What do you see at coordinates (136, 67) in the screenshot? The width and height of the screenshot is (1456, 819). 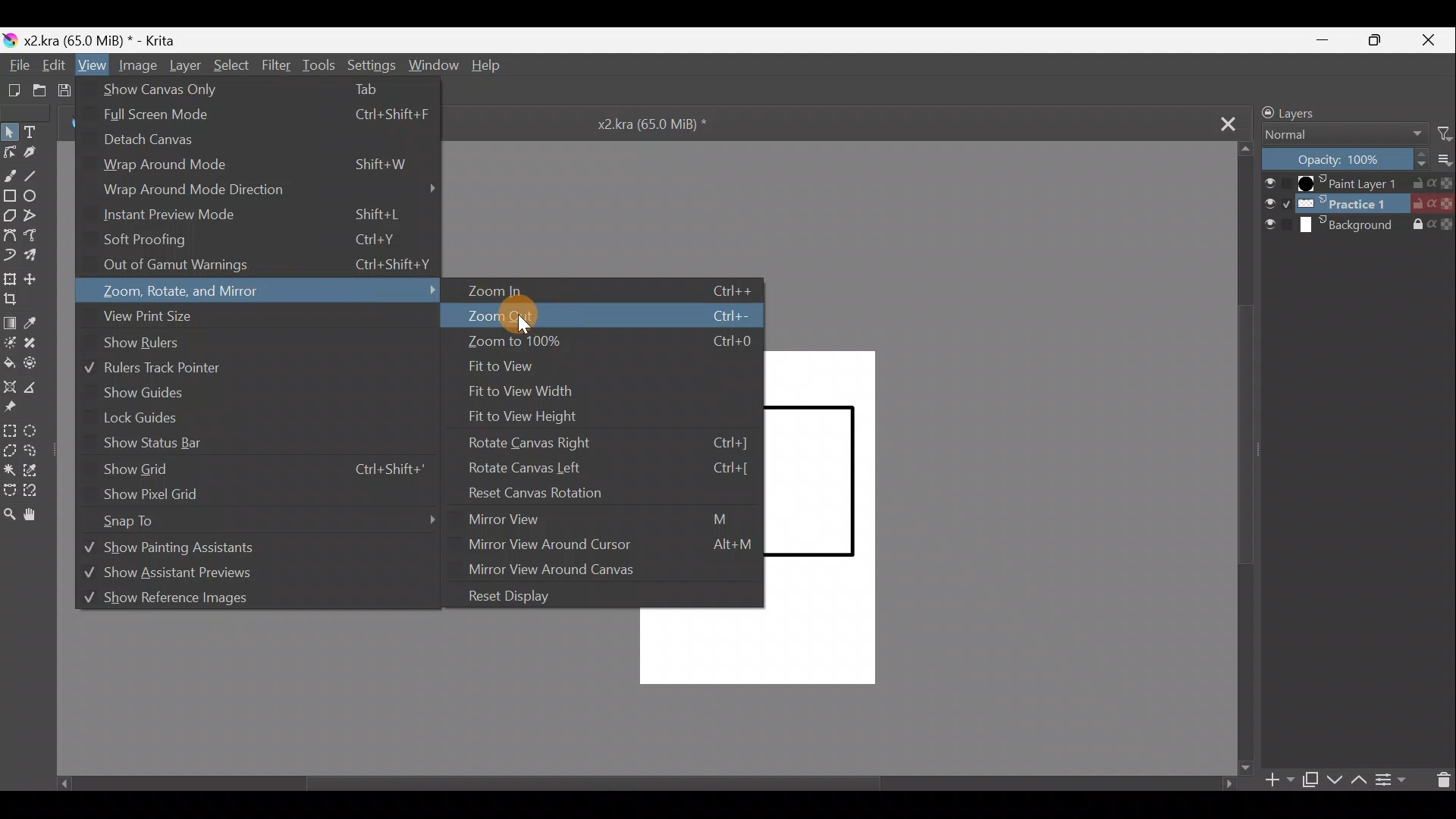 I see `Image` at bounding box center [136, 67].